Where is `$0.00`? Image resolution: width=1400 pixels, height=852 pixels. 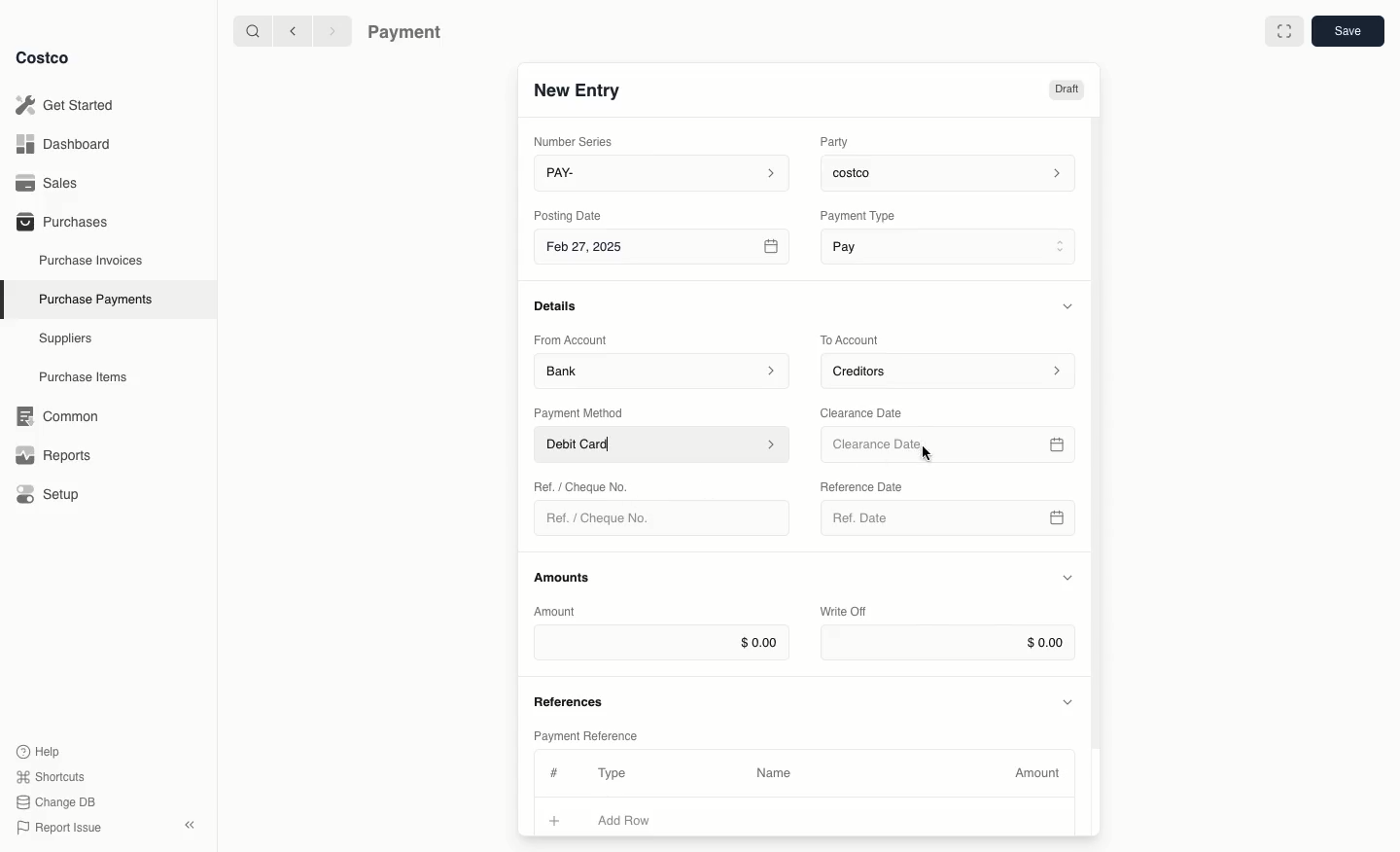
$0.00 is located at coordinates (661, 642).